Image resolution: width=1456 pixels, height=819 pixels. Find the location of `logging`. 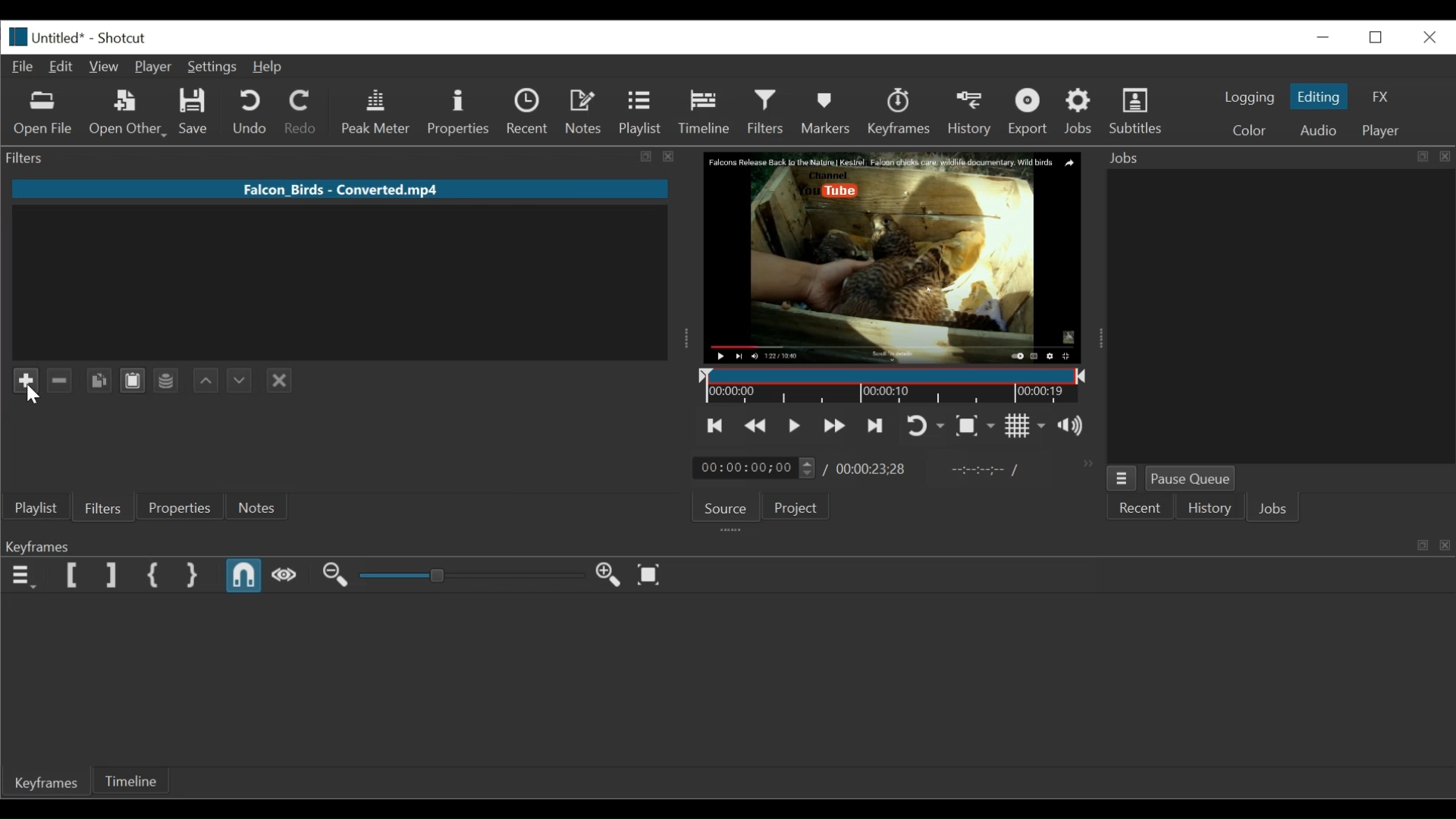

logging is located at coordinates (1248, 99).